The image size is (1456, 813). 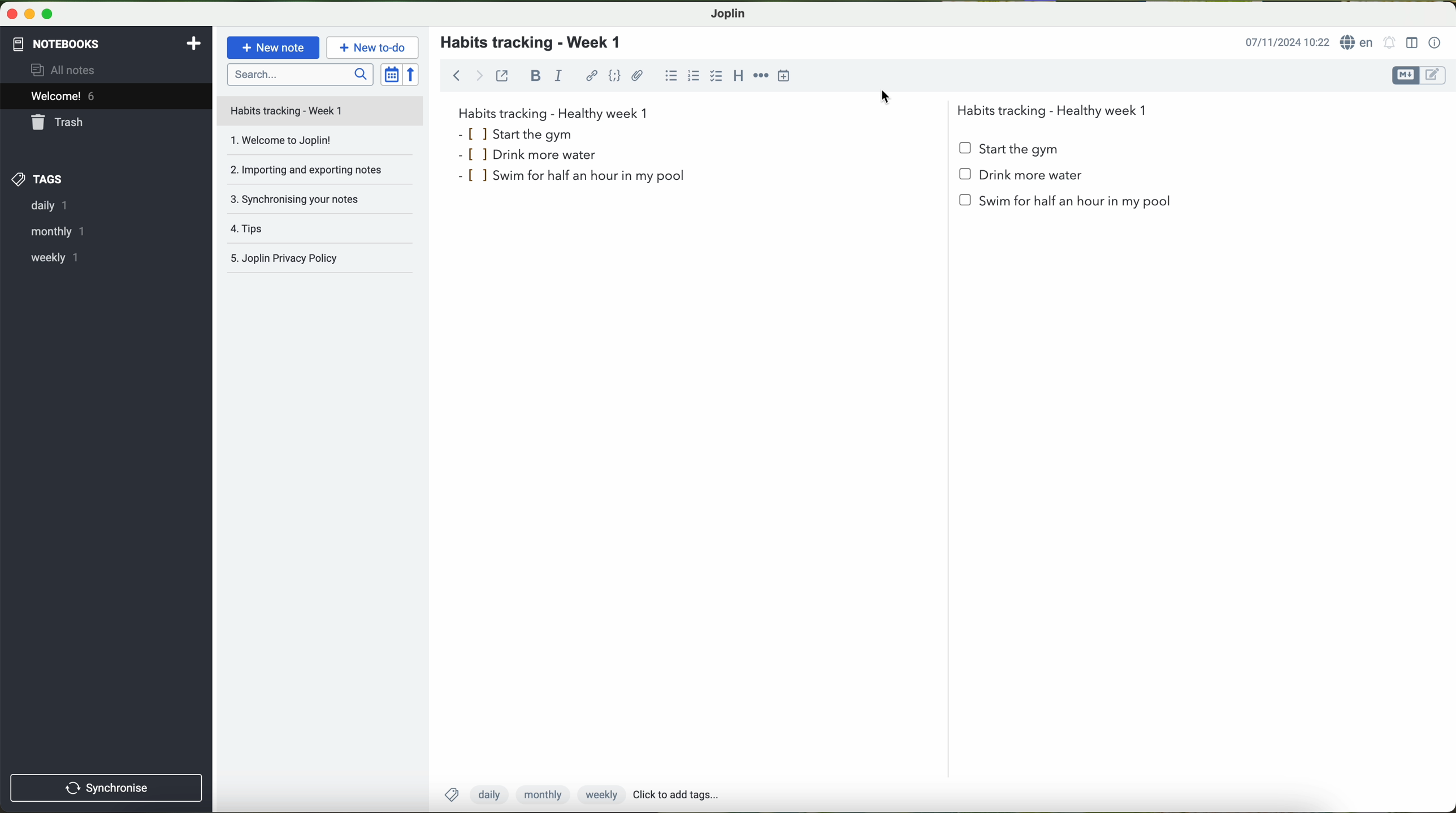 I want to click on weekly 1, so click(x=46, y=257).